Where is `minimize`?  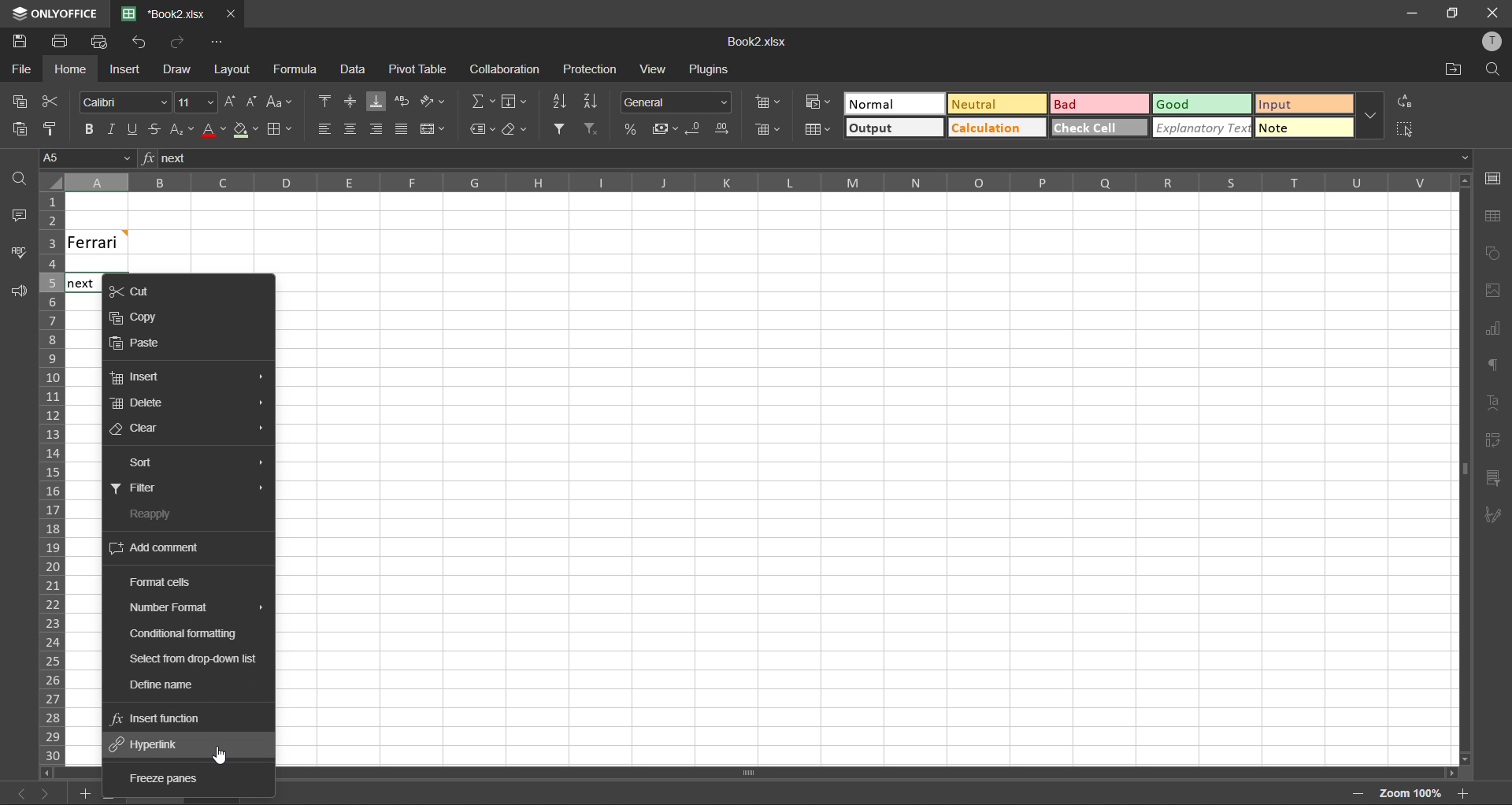 minimize is located at coordinates (1407, 13).